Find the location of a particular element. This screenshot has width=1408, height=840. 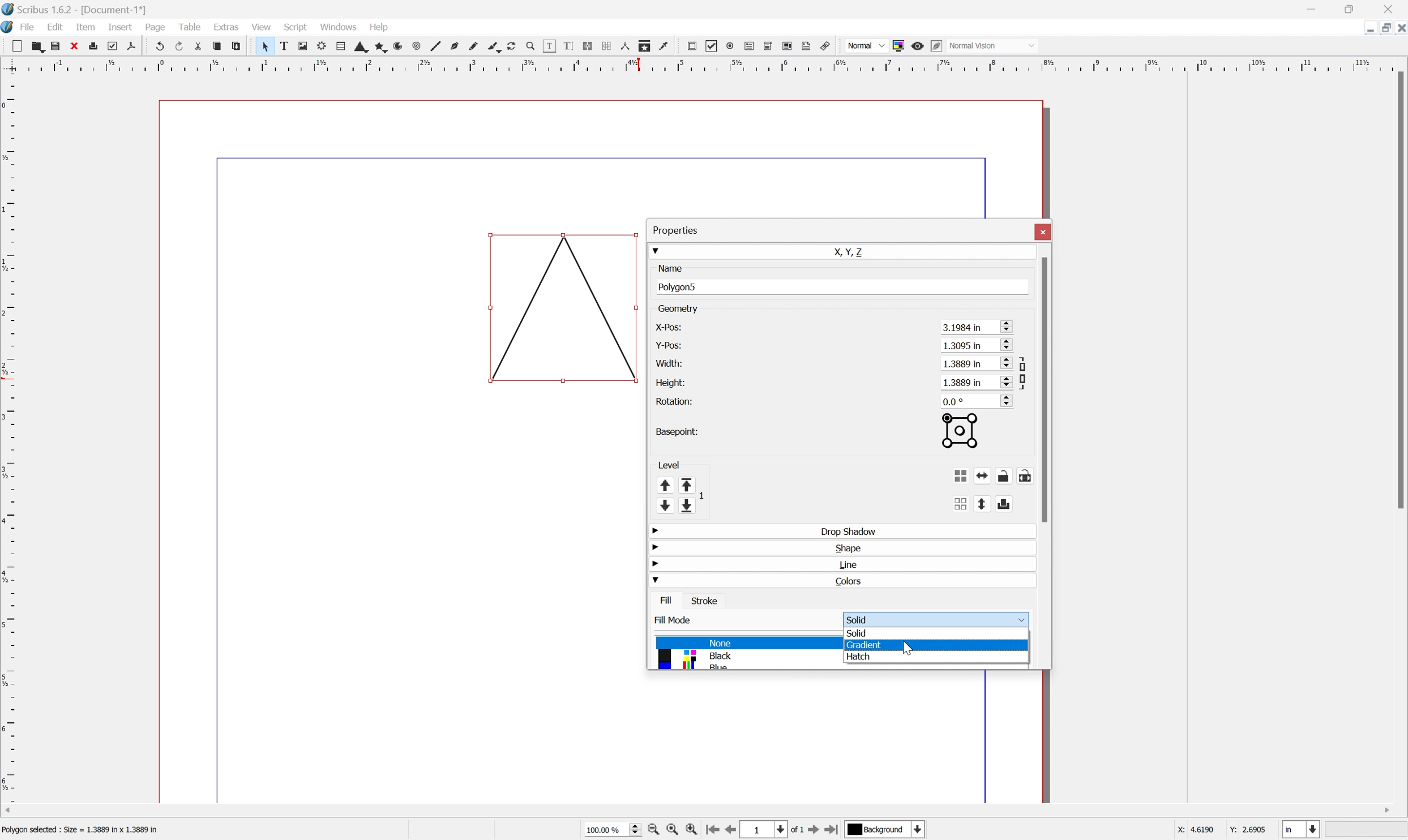

Zoom to 100% is located at coordinates (675, 832).